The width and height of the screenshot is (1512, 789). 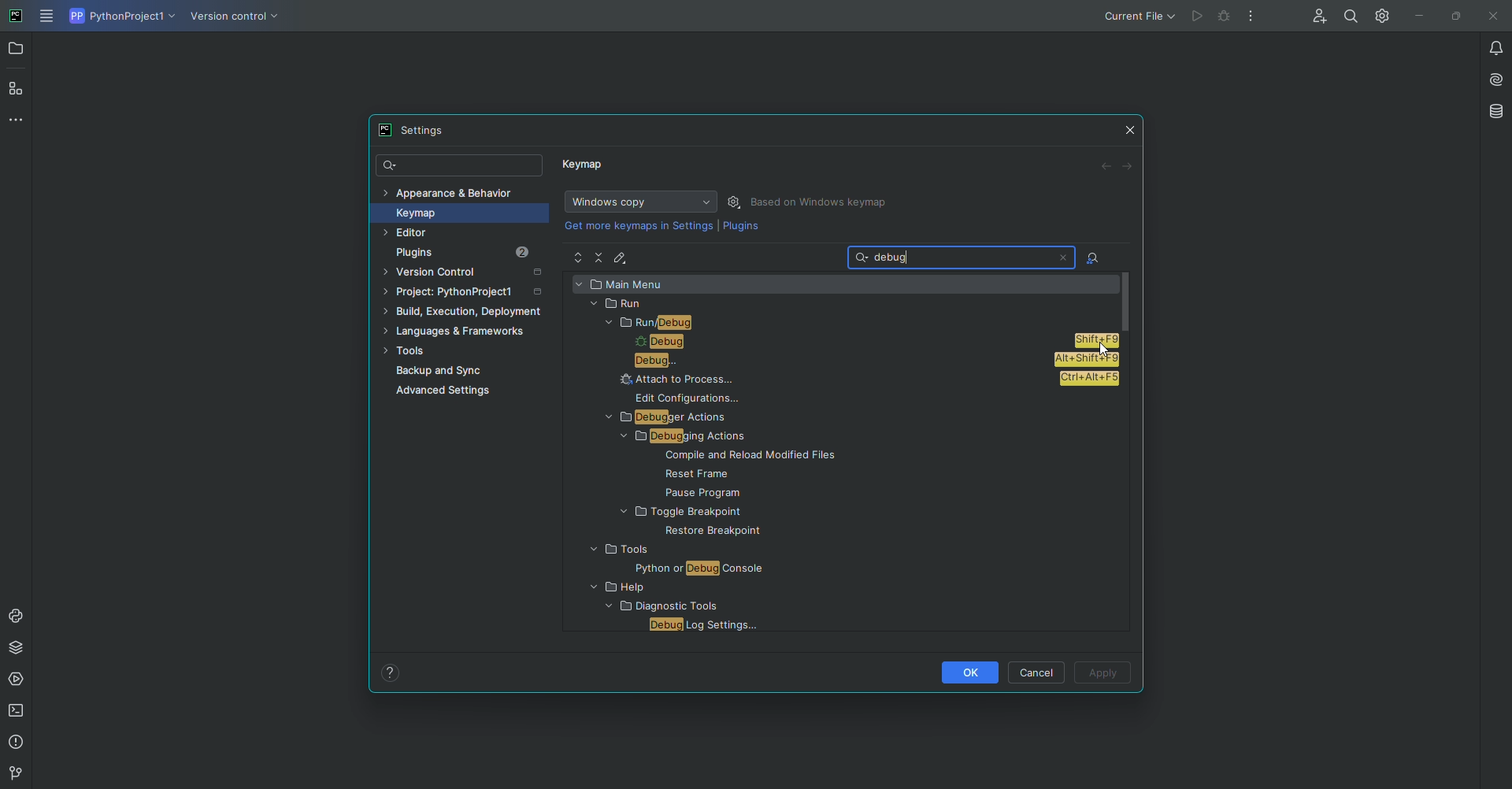 I want to click on Search: debug, so click(x=963, y=257).